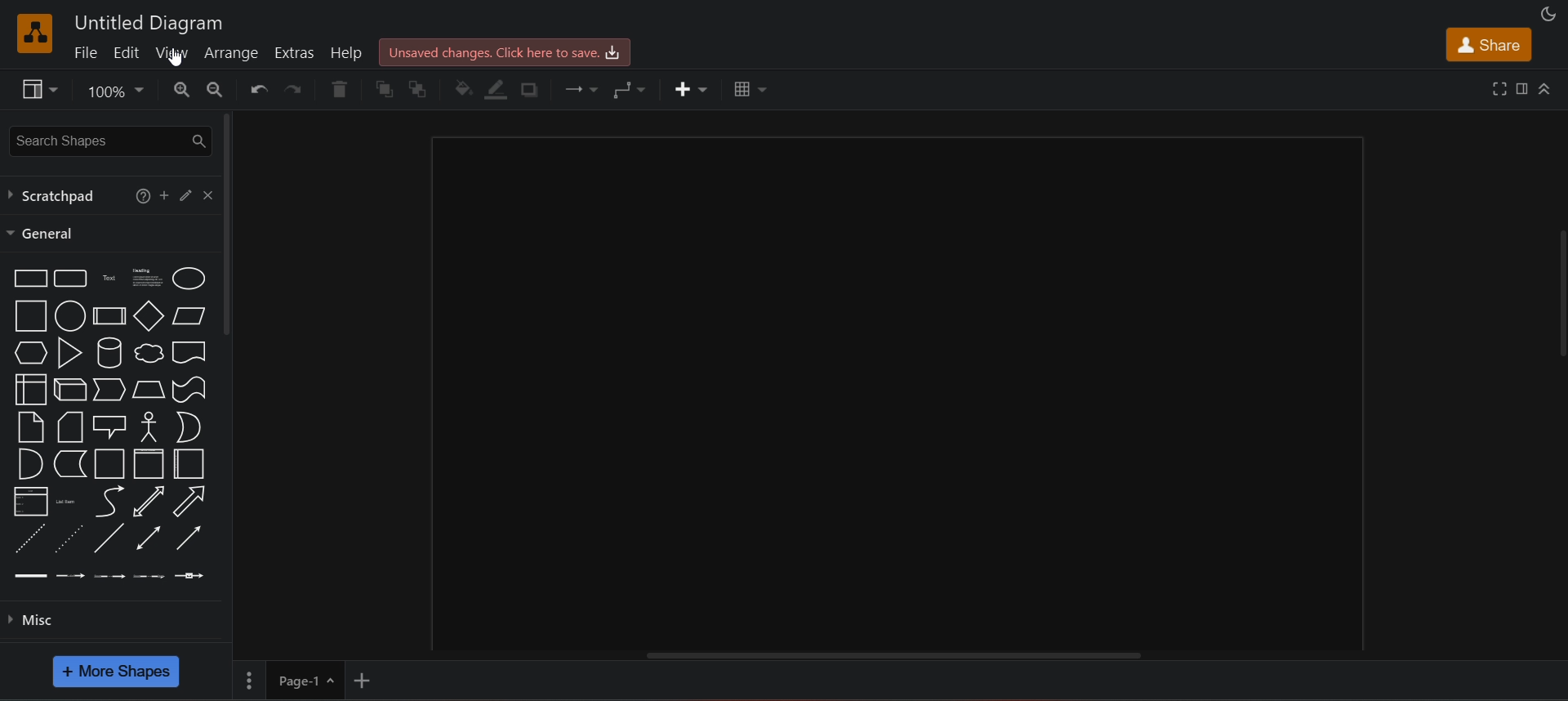 The width and height of the screenshot is (1568, 701). I want to click on bidirectional connector, so click(150, 538).